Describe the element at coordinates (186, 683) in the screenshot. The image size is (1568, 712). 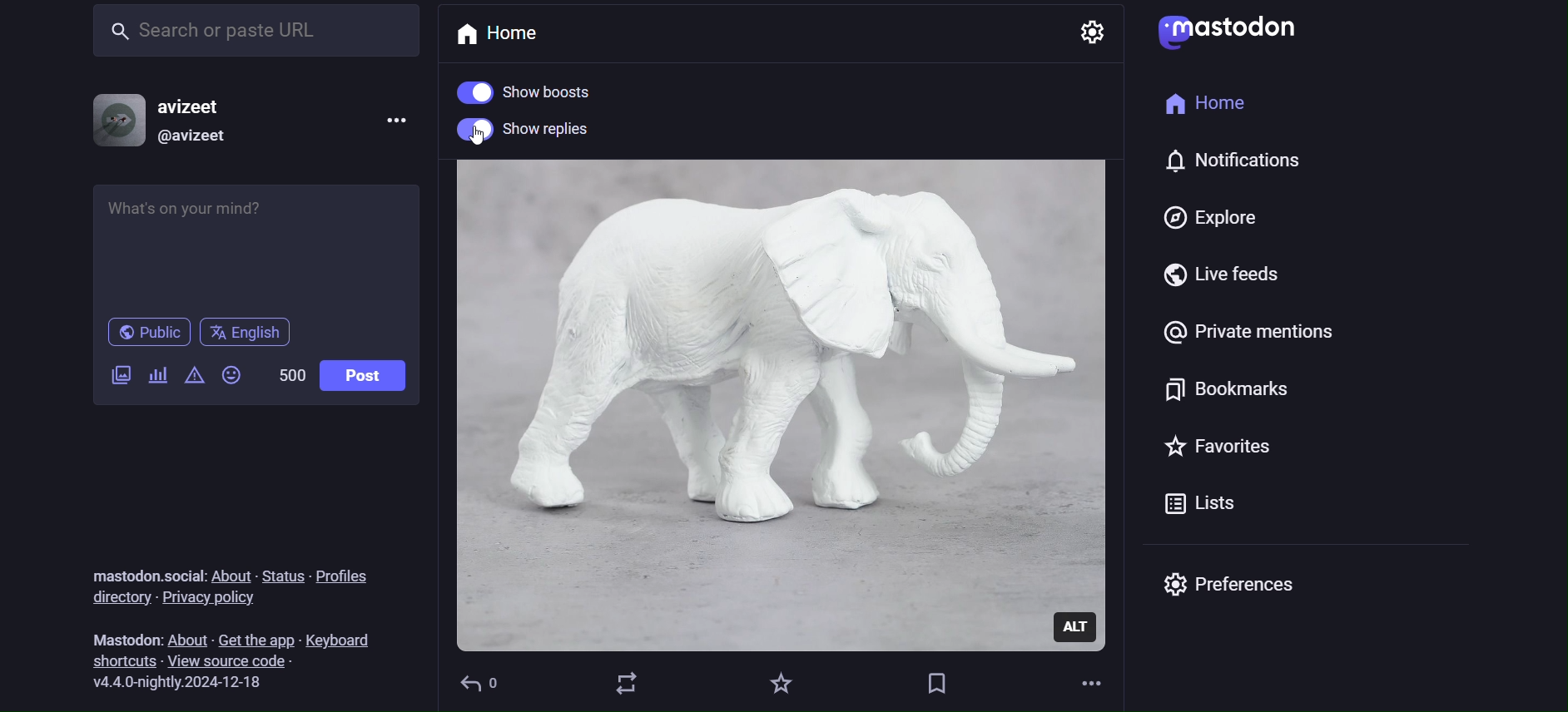
I see `version` at that location.